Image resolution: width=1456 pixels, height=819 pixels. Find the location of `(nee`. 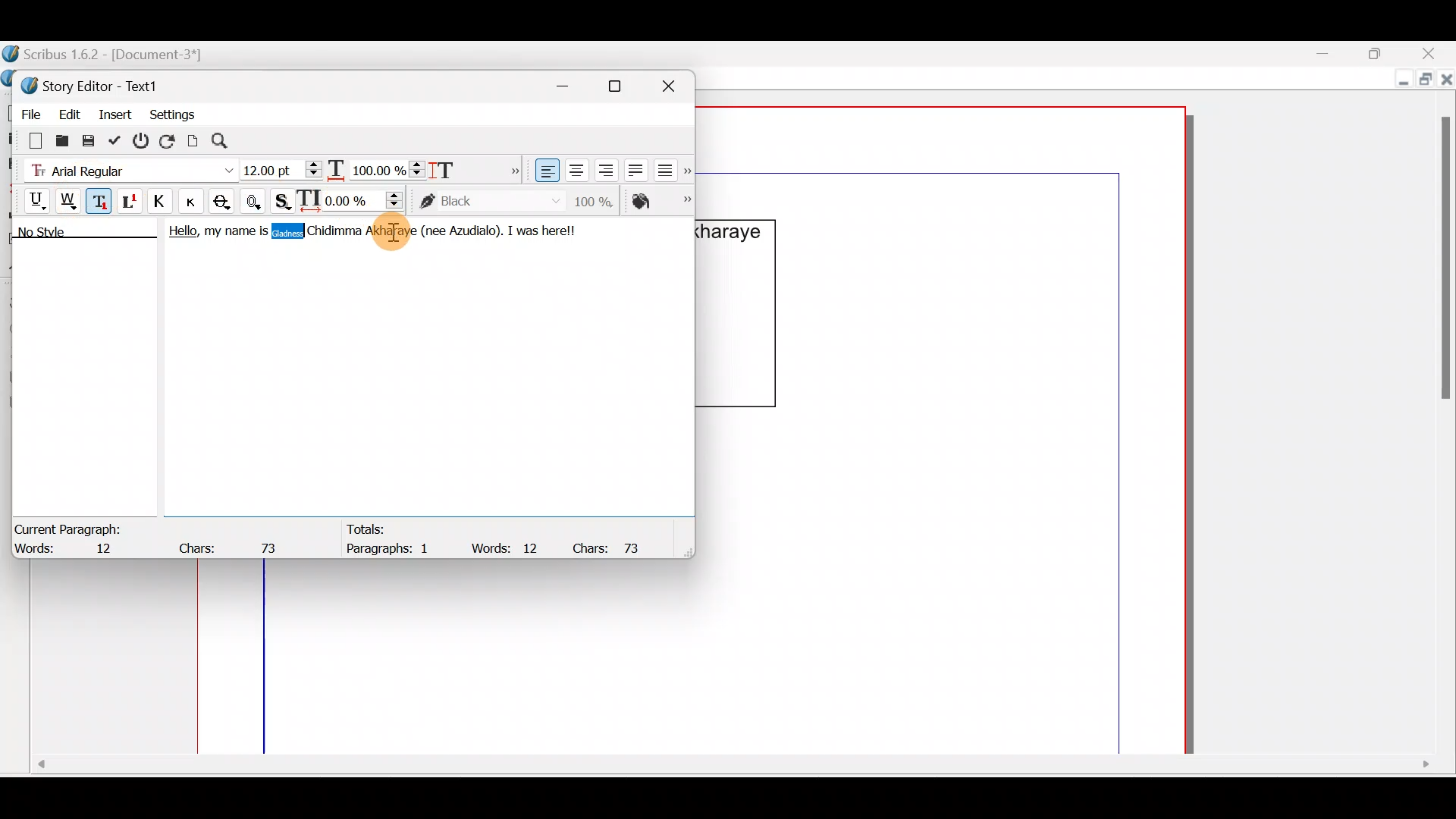

(nee is located at coordinates (431, 231).